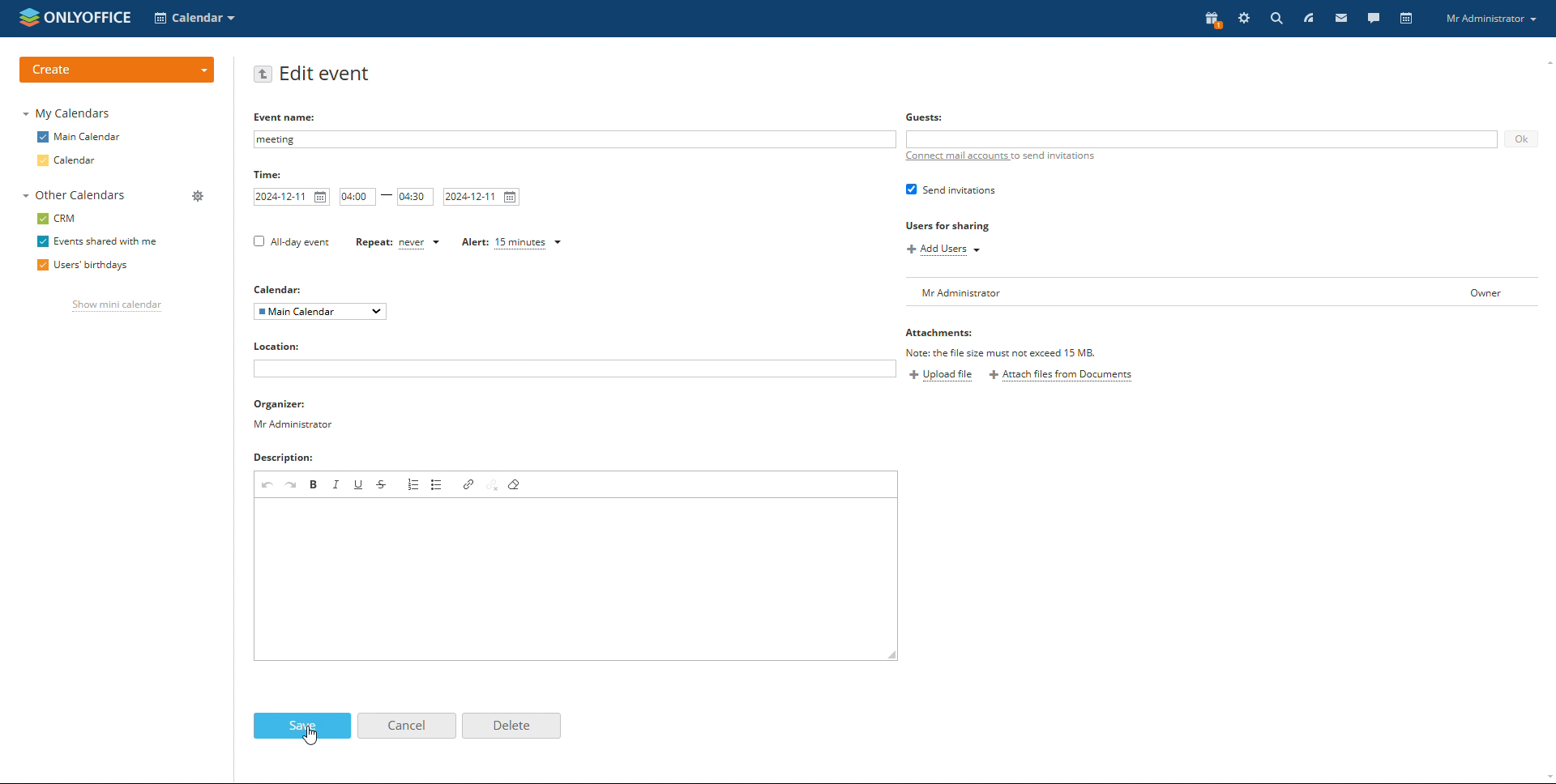  What do you see at coordinates (287, 116) in the screenshot?
I see `Event name:` at bounding box center [287, 116].